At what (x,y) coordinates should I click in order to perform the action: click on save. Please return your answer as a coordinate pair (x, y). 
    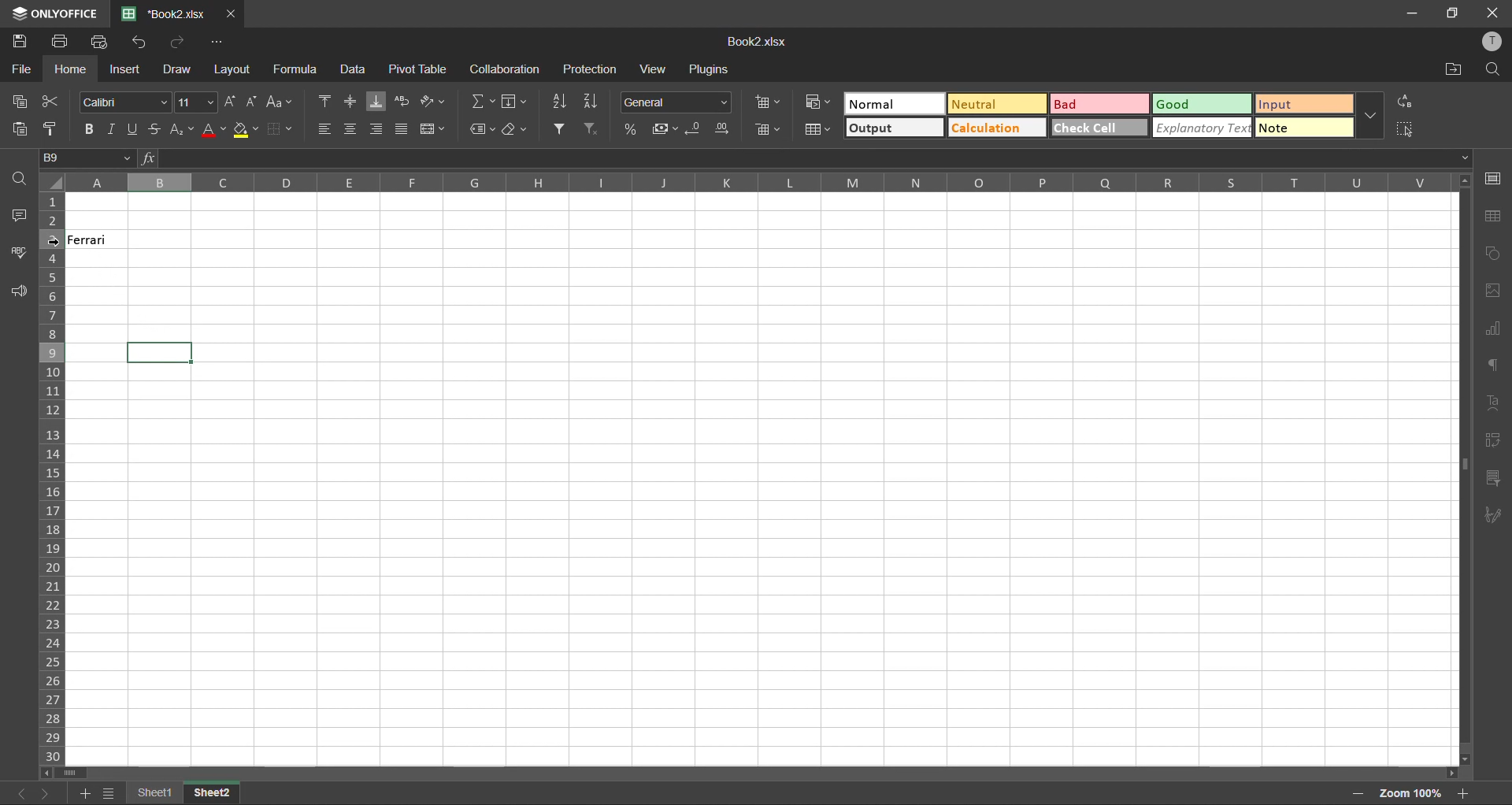
    Looking at the image, I should click on (17, 43).